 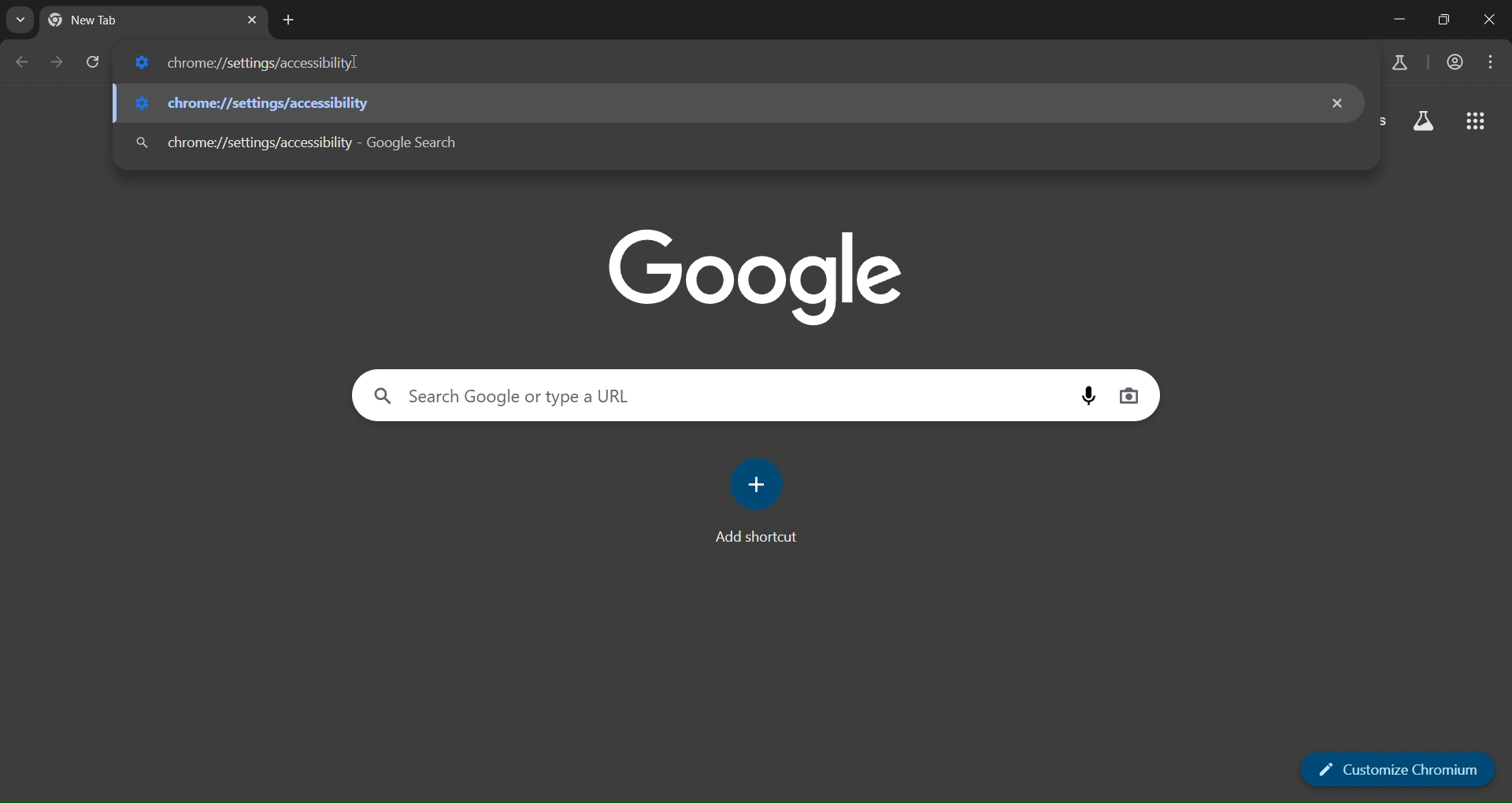 What do you see at coordinates (1426, 121) in the screenshot?
I see `search labs` at bounding box center [1426, 121].